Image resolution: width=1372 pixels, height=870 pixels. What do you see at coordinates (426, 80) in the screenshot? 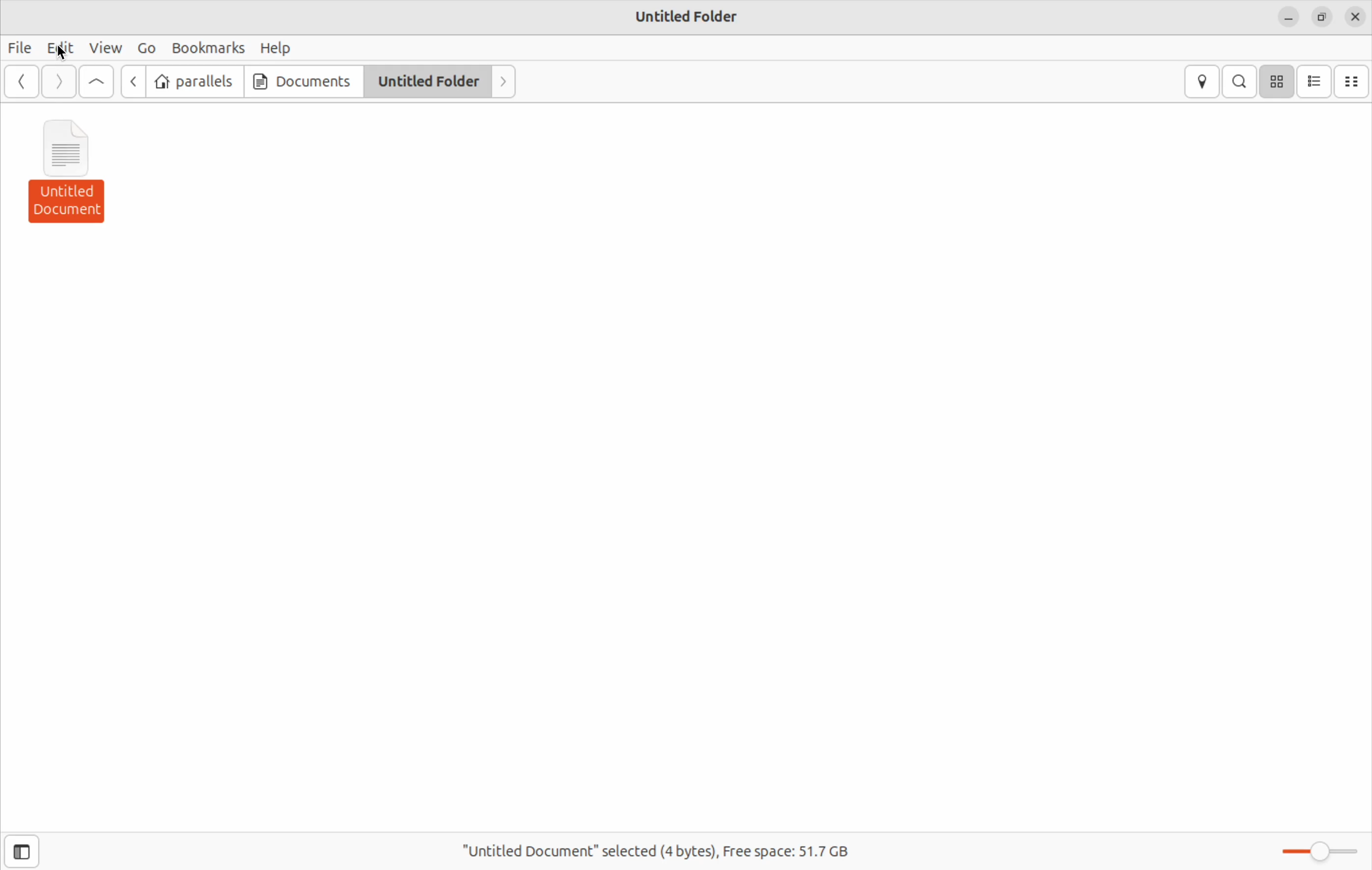
I see `untitled folder` at bounding box center [426, 80].